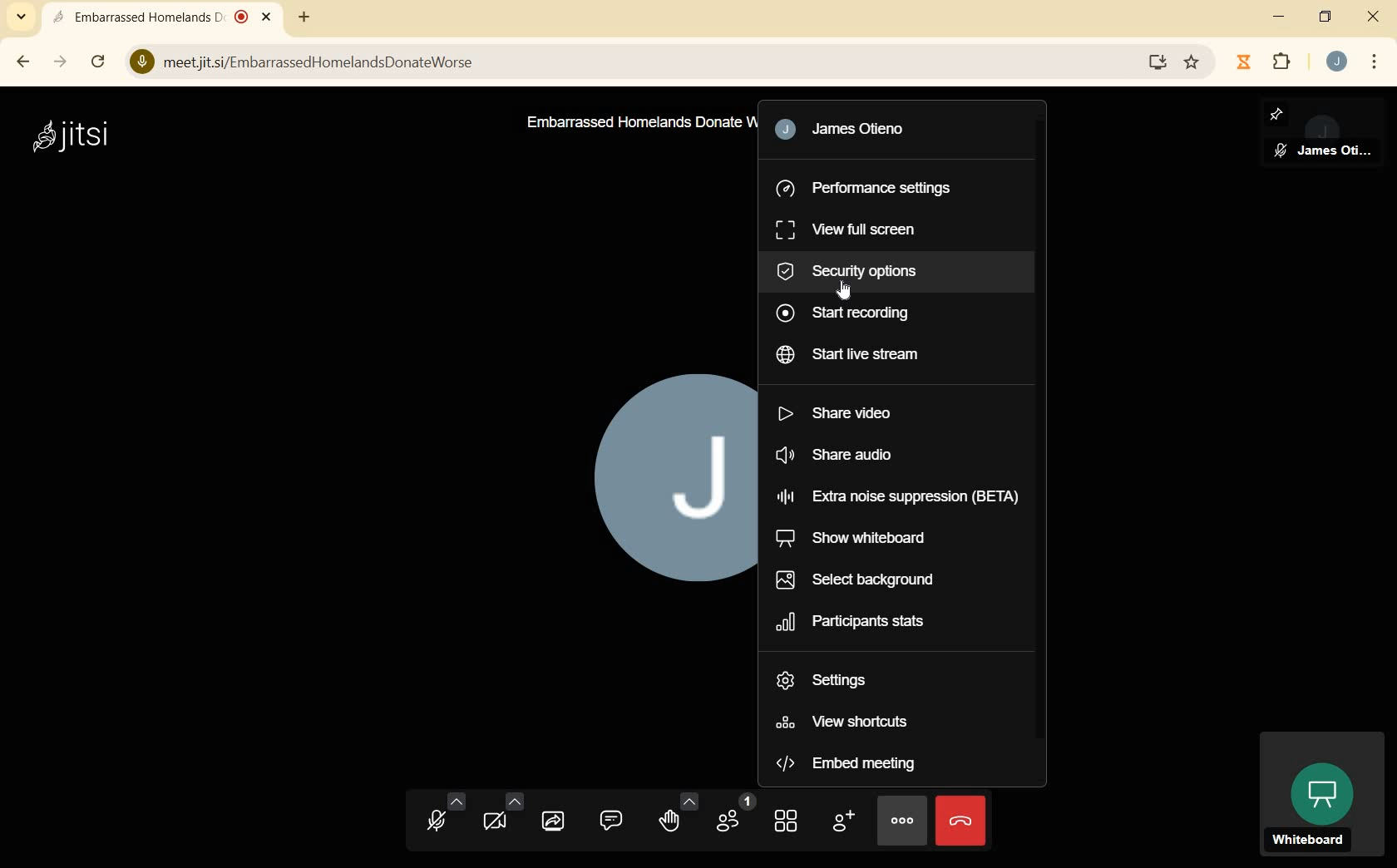  I want to click on participants, so click(737, 815).